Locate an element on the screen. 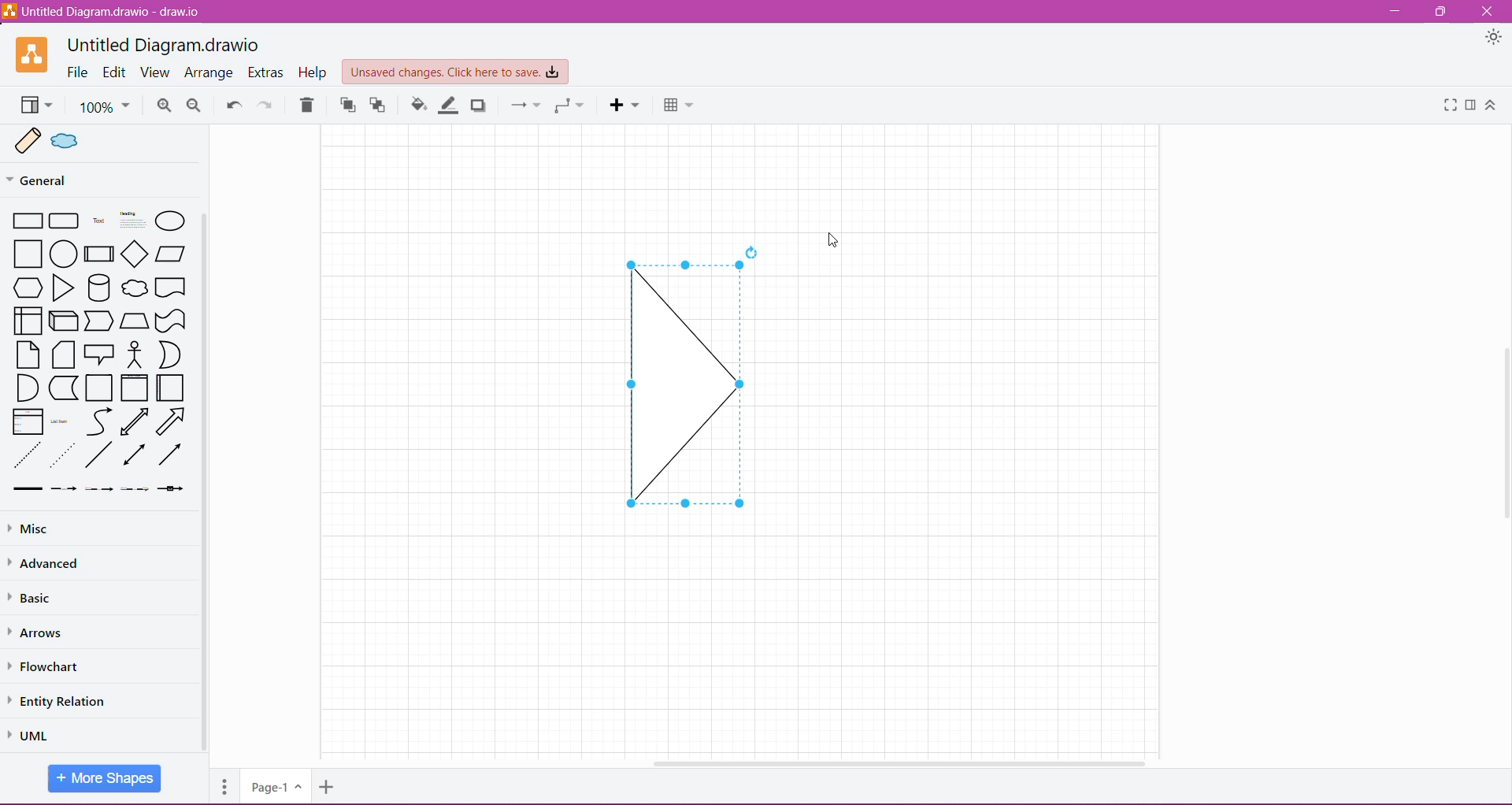 Image resolution: width=1512 pixels, height=805 pixels. Shapes is located at coordinates (100, 351).